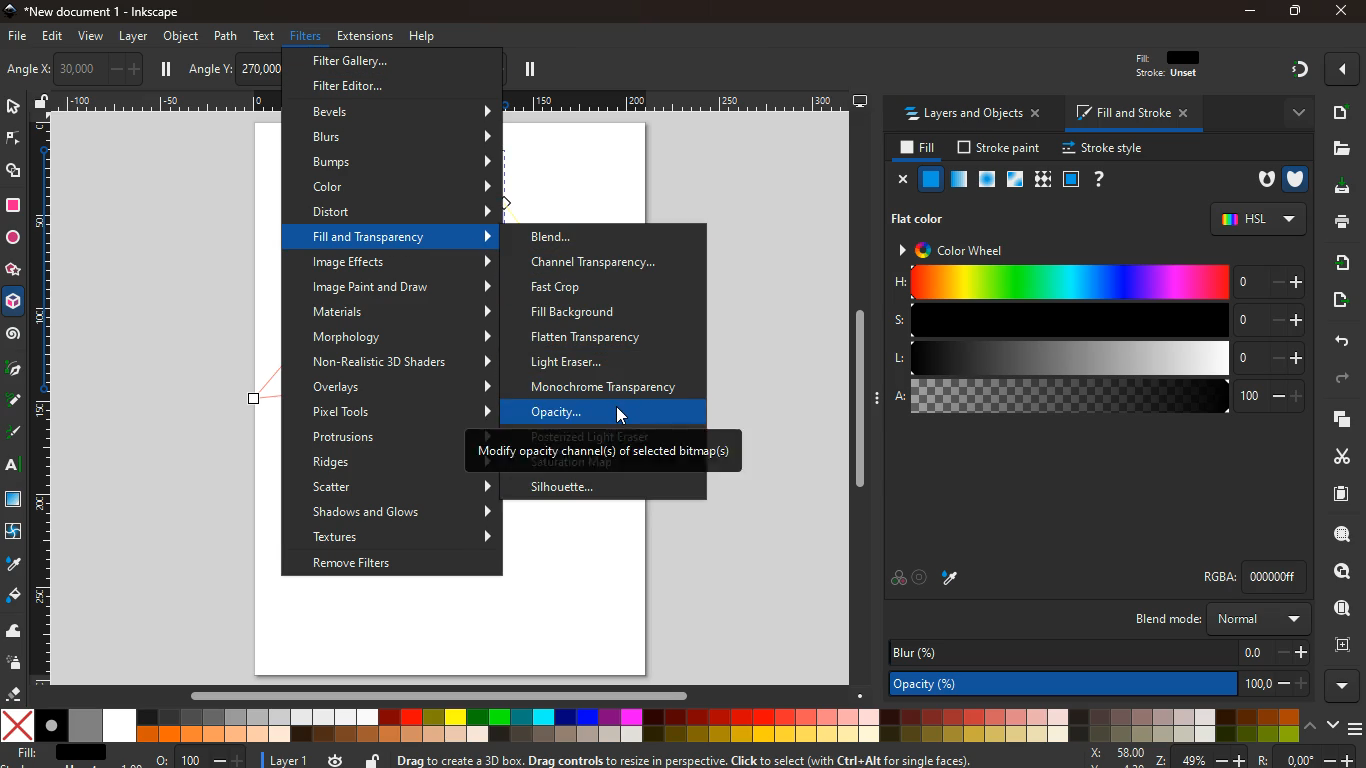 This screenshot has width=1366, height=768. Describe the element at coordinates (952, 578) in the screenshot. I see `drop` at that location.